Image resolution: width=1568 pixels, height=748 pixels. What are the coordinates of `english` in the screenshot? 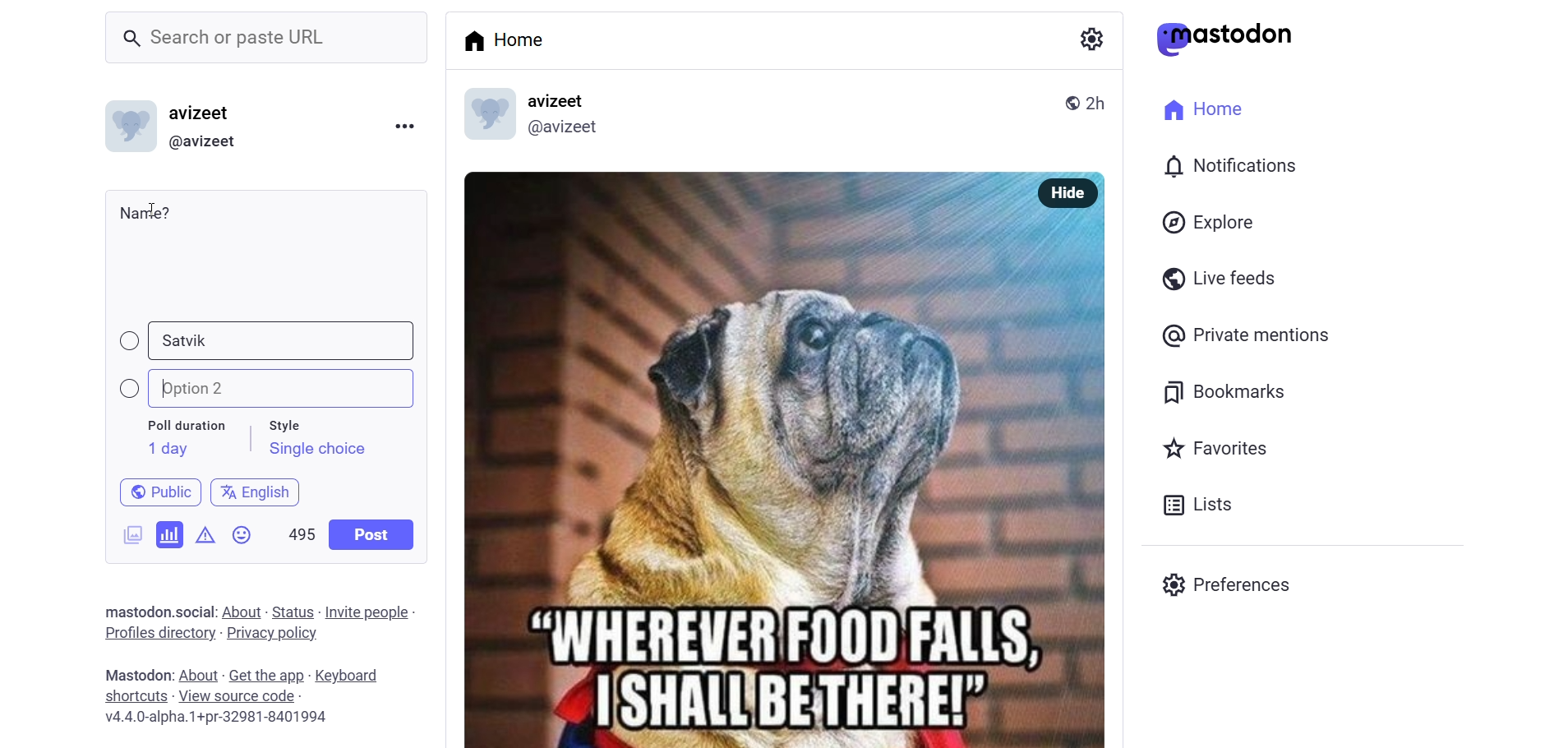 It's located at (256, 489).